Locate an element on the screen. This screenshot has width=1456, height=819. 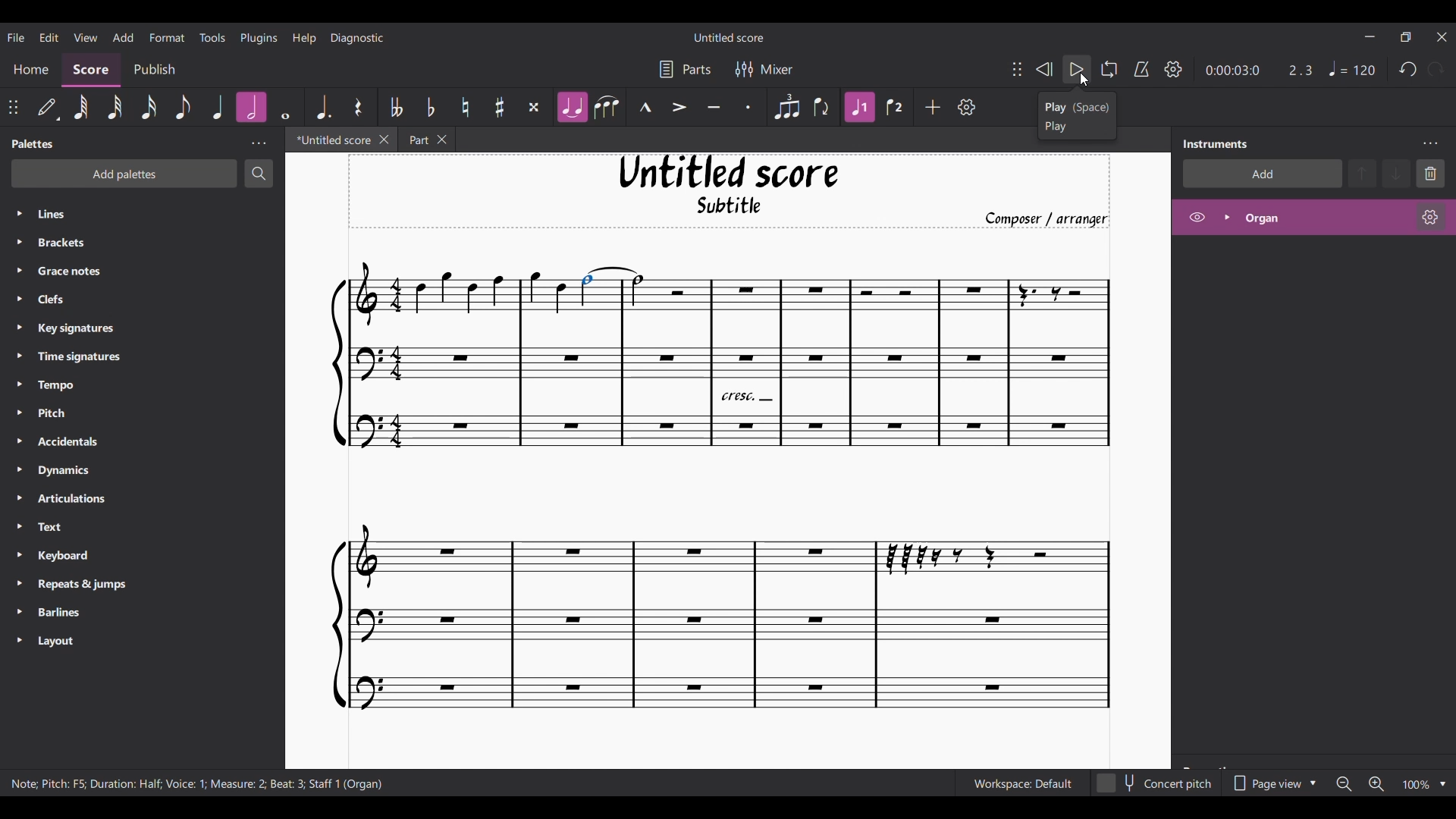
Tuplet is located at coordinates (786, 108).